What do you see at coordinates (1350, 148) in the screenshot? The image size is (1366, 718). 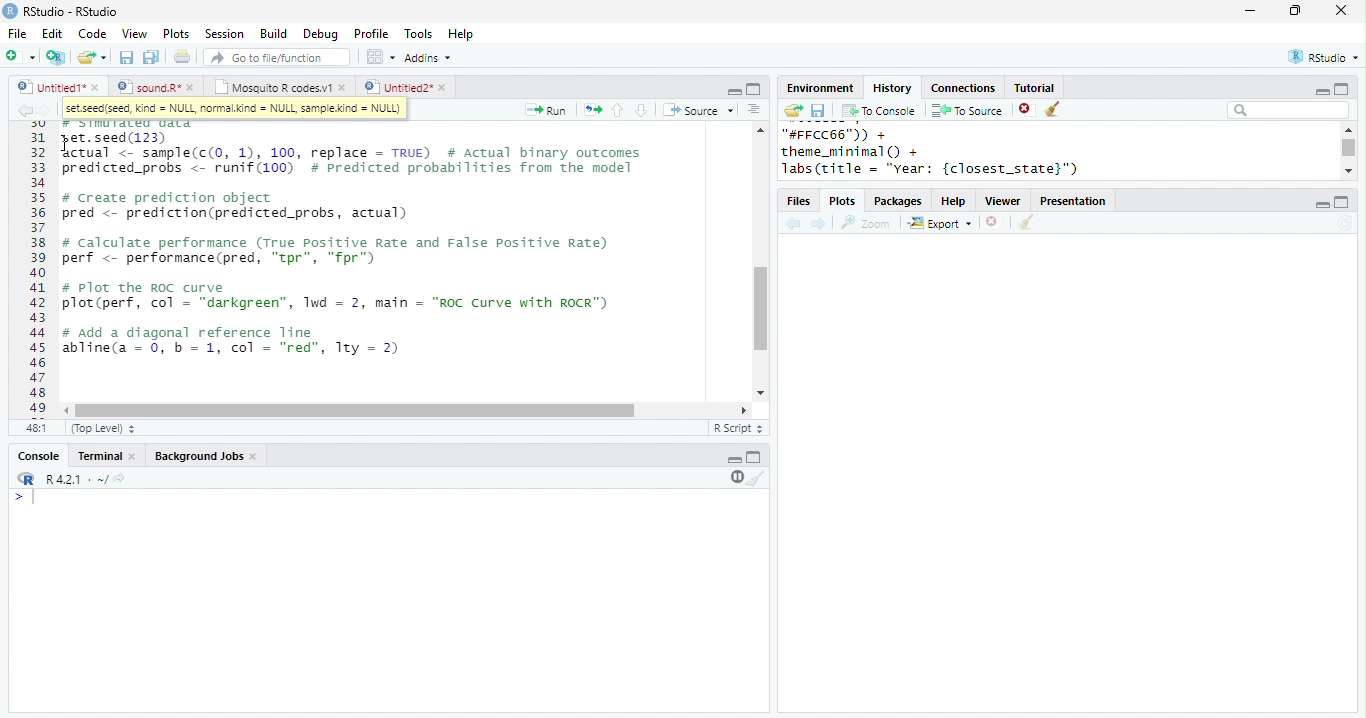 I see `scroll bar` at bounding box center [1350, 148].